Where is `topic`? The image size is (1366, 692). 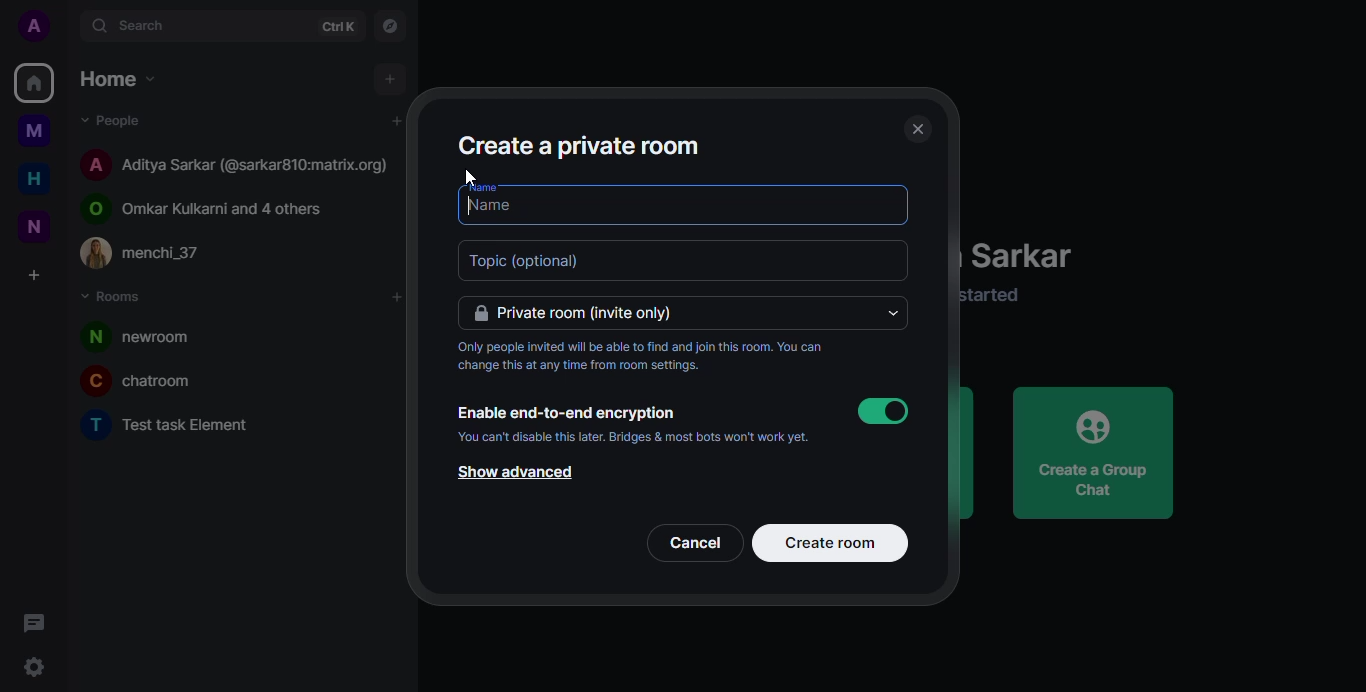
topic is located at coordinates (536, 261).